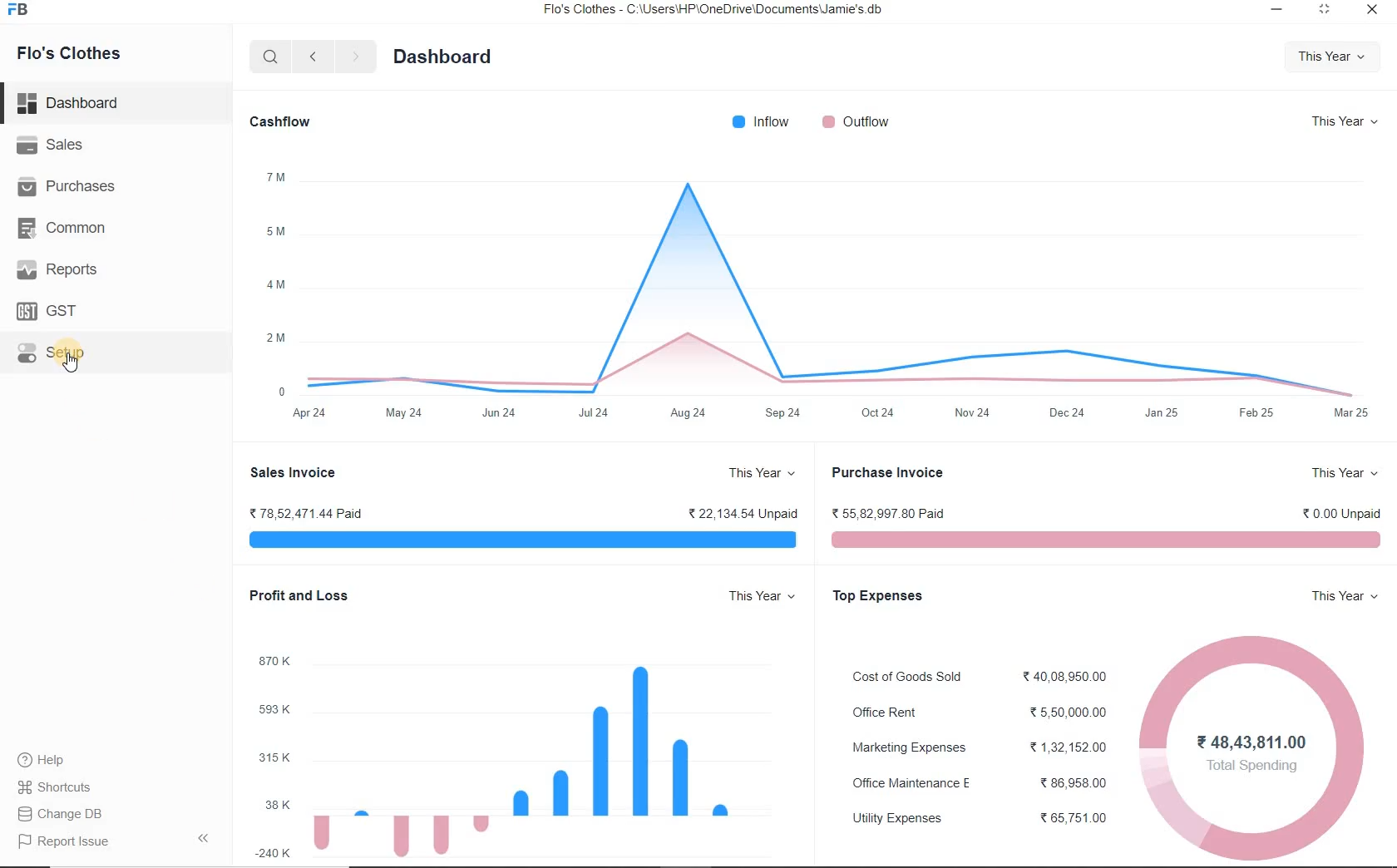  I want to click on mar 24, so click(1355, 412).